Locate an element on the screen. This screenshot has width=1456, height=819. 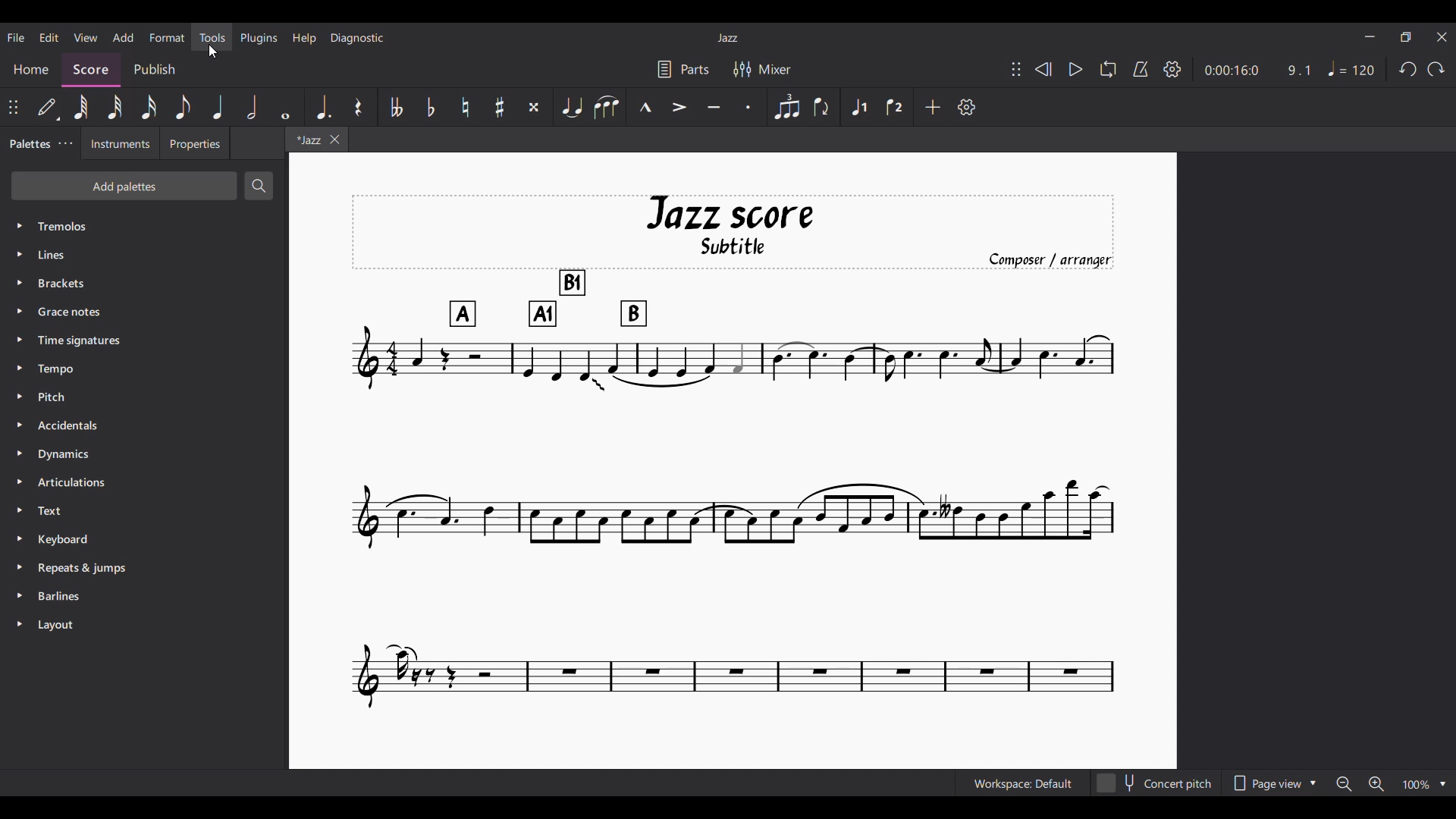
Home section is located at coordinates (31, 71).